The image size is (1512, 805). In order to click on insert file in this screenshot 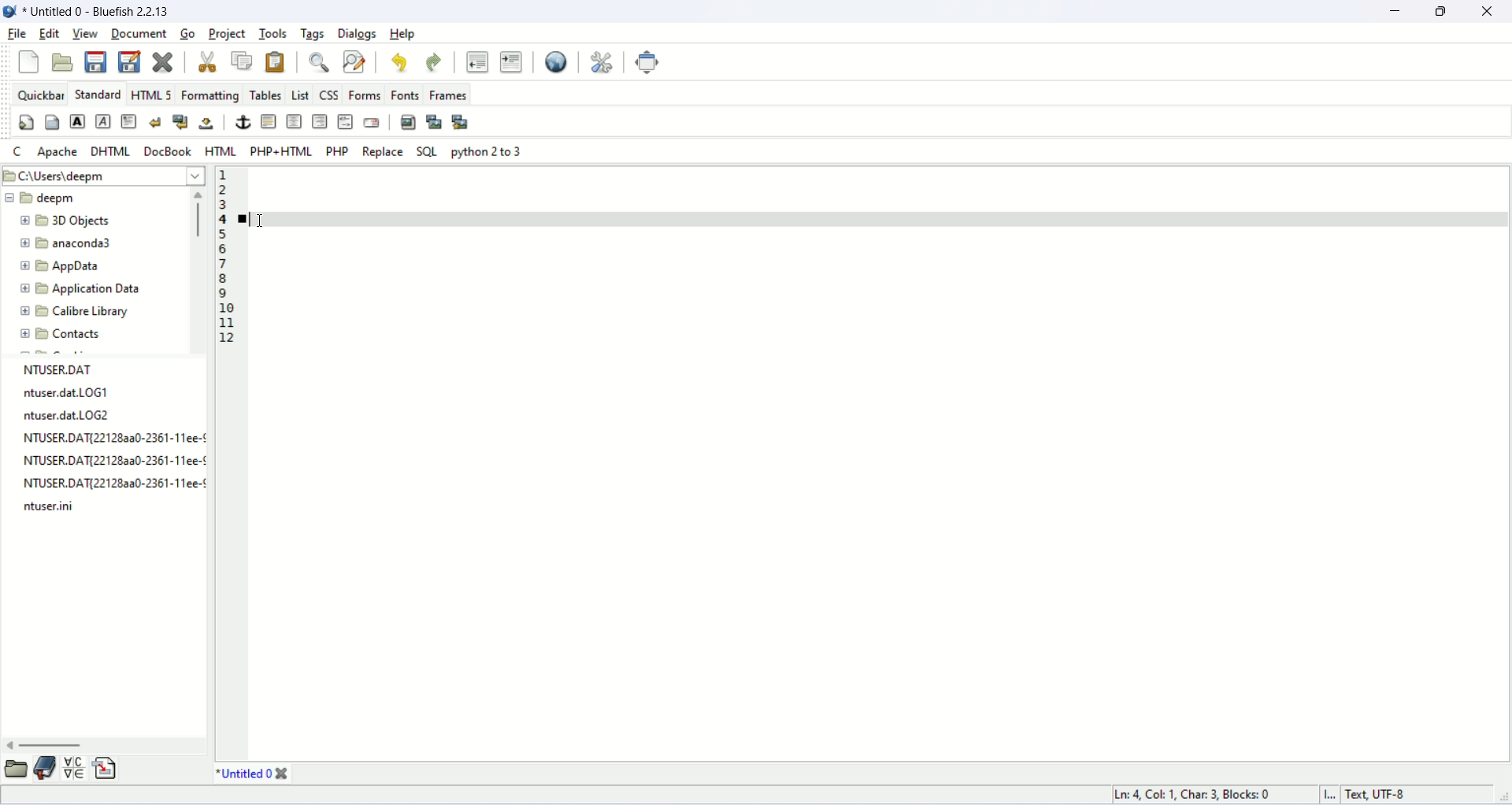, I will do `click(106, 770)`.